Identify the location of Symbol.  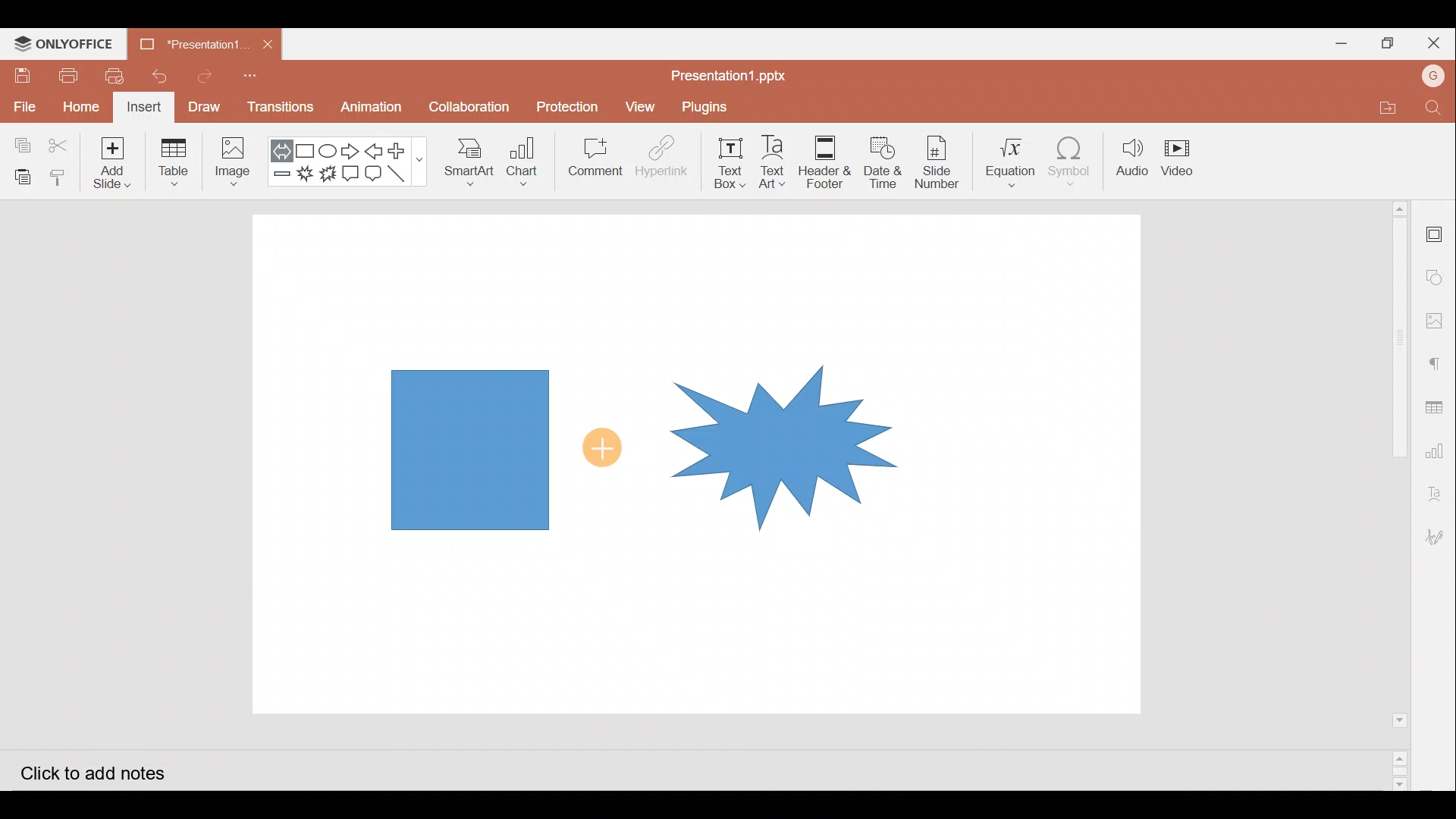
(1075, 161).